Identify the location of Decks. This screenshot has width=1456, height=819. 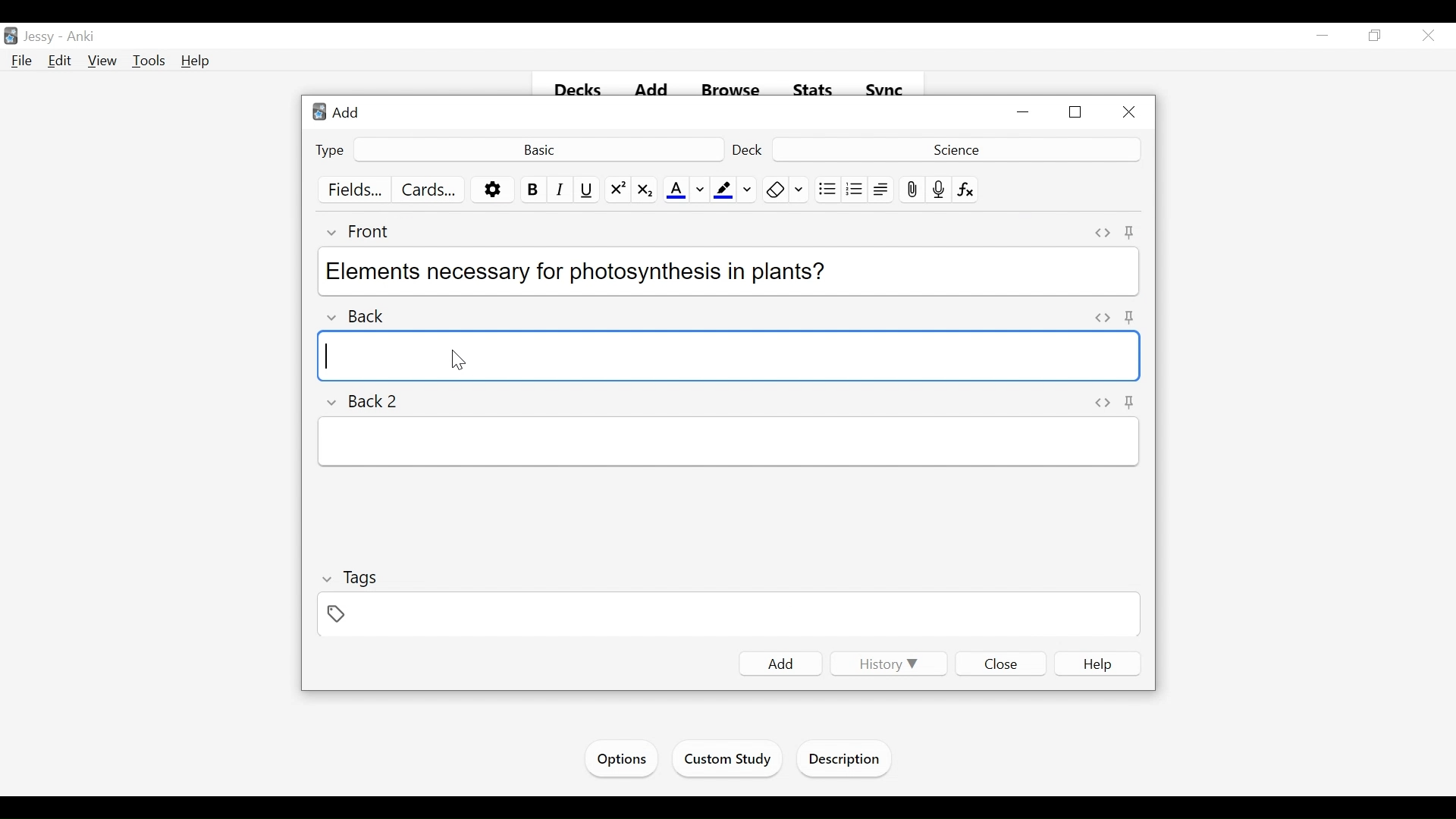
(579, 91).